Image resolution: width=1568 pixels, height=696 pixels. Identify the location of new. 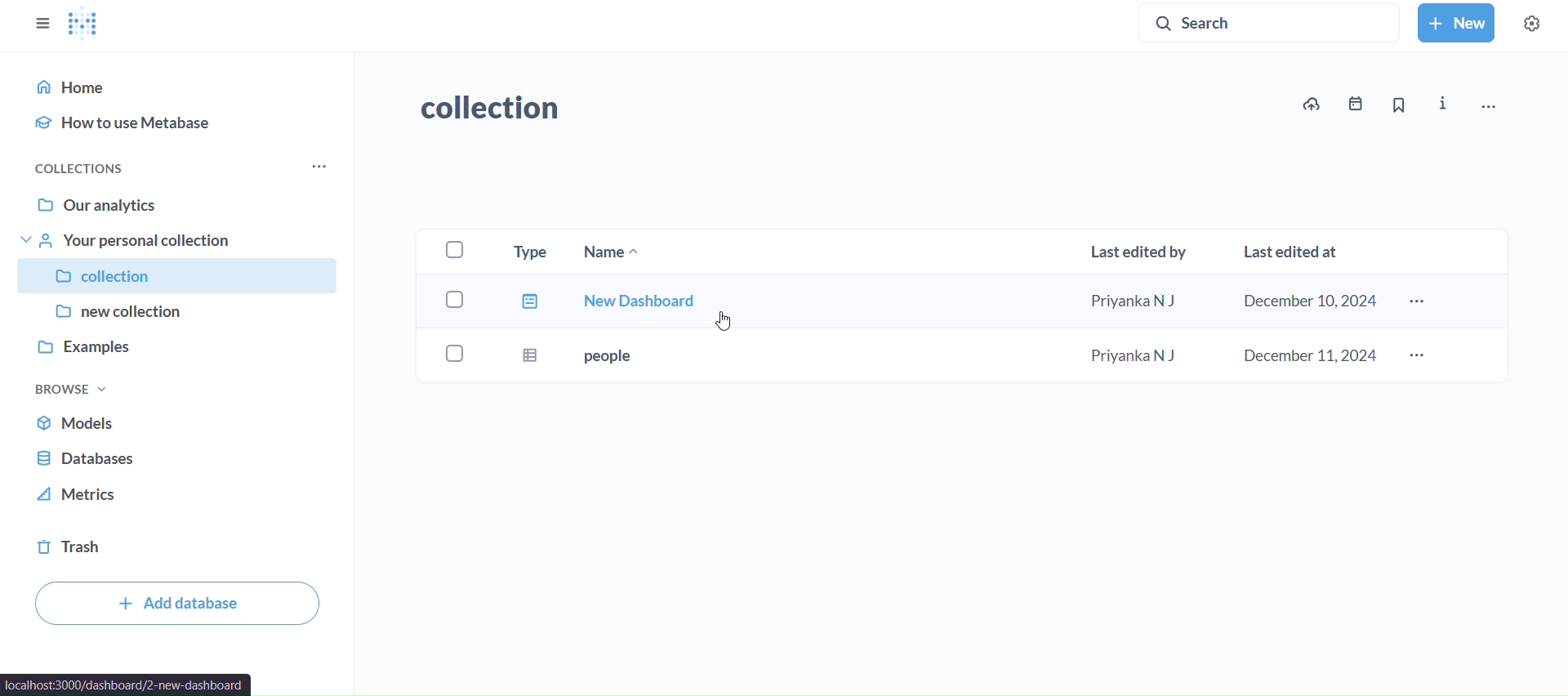
(1456, 23).